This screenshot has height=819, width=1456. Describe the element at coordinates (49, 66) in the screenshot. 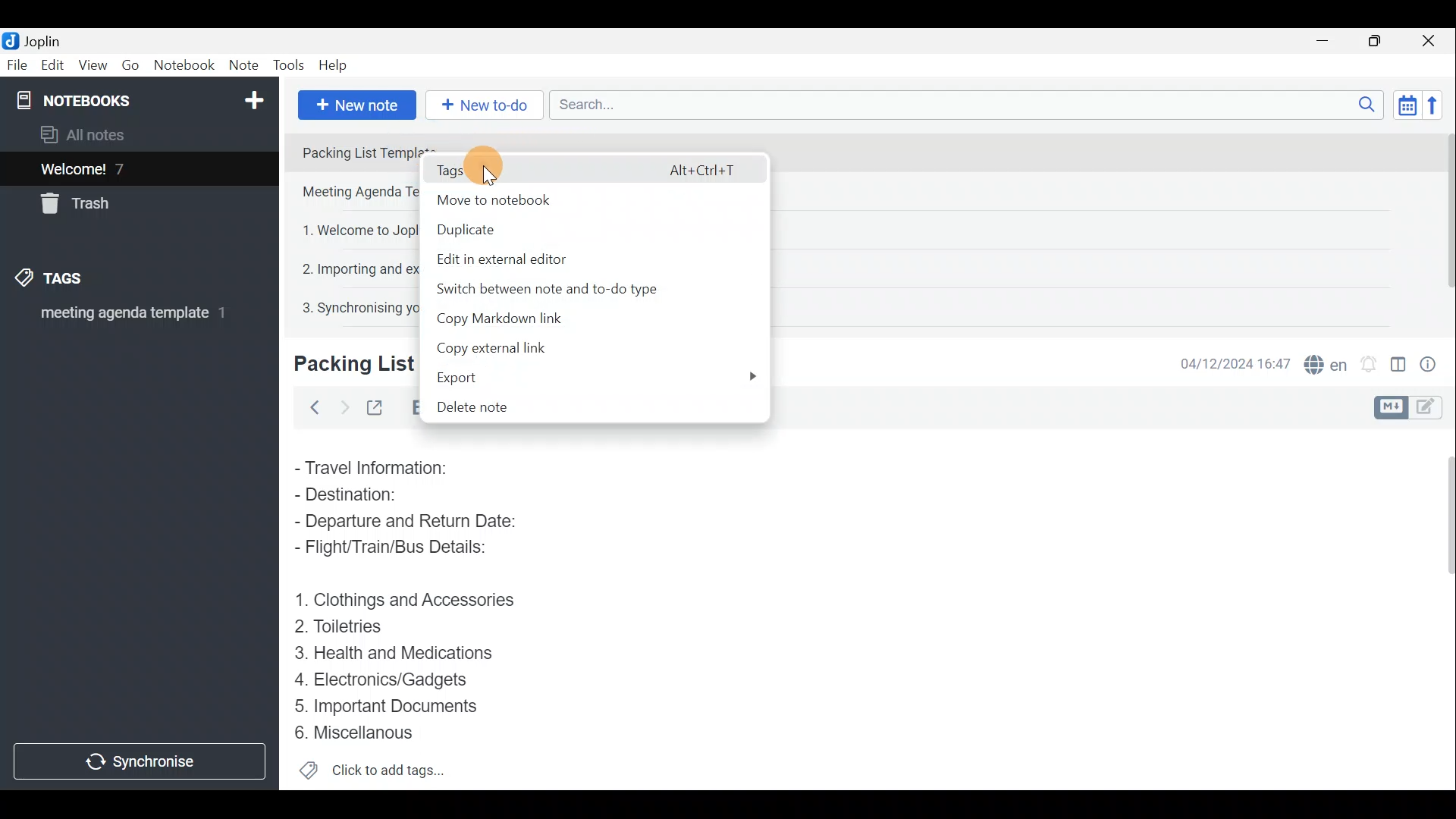

I see `Edit` at that location.